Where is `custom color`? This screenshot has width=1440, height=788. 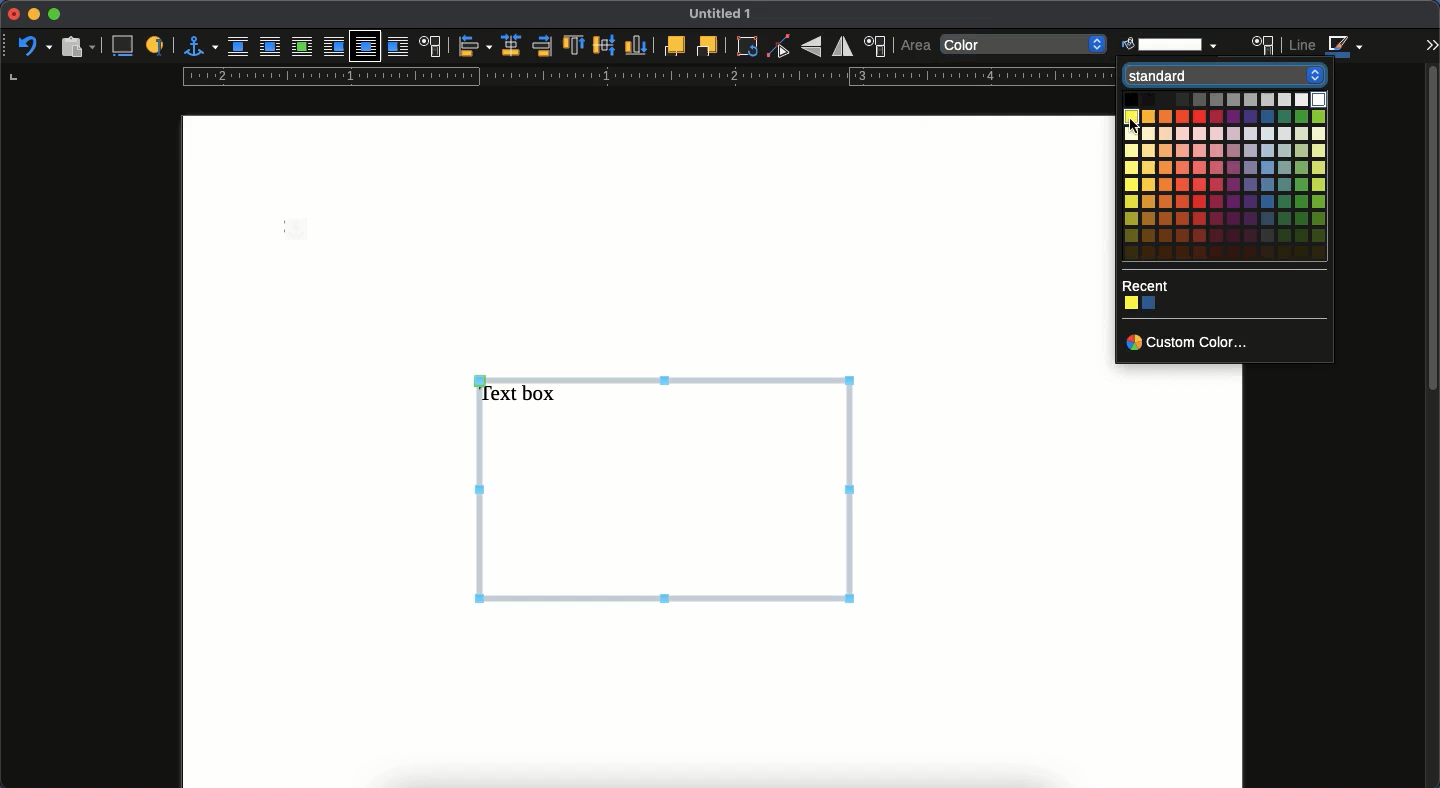 custom color is located at coordinates (1188, 344).